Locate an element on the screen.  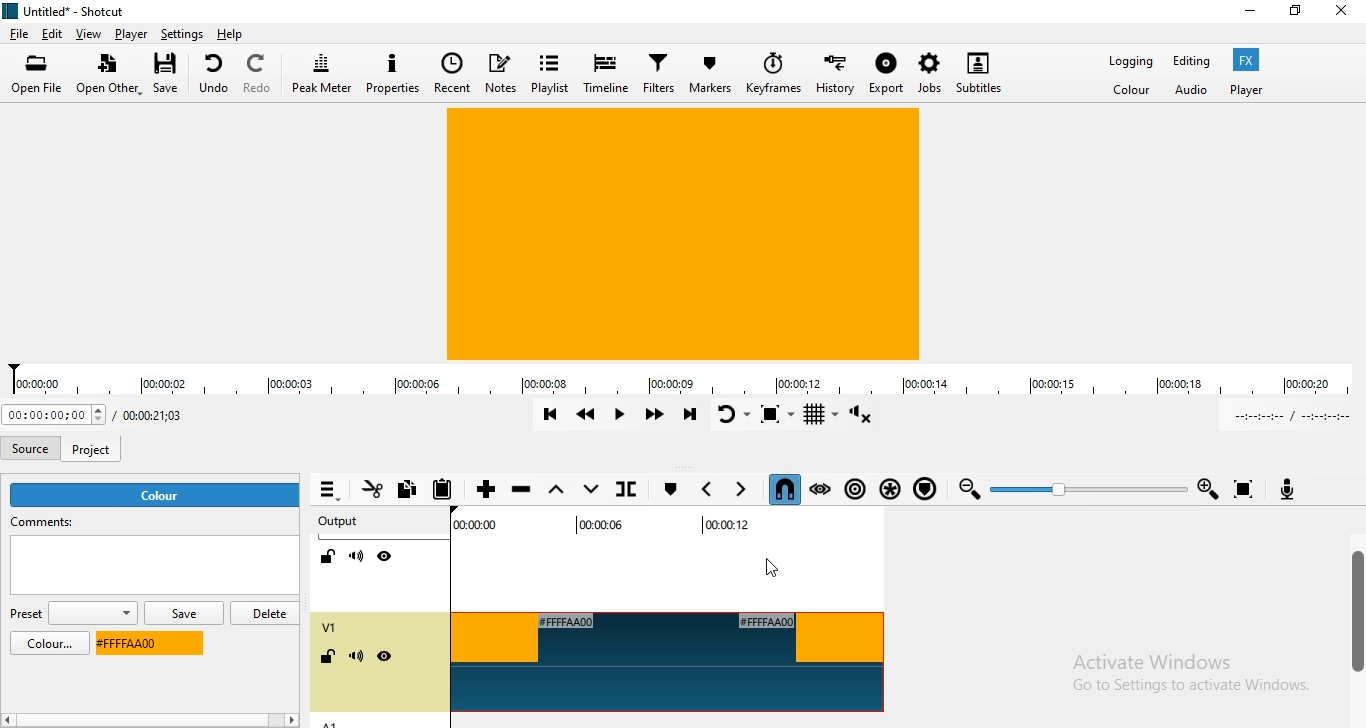
color is located at coordinates (43, 644).